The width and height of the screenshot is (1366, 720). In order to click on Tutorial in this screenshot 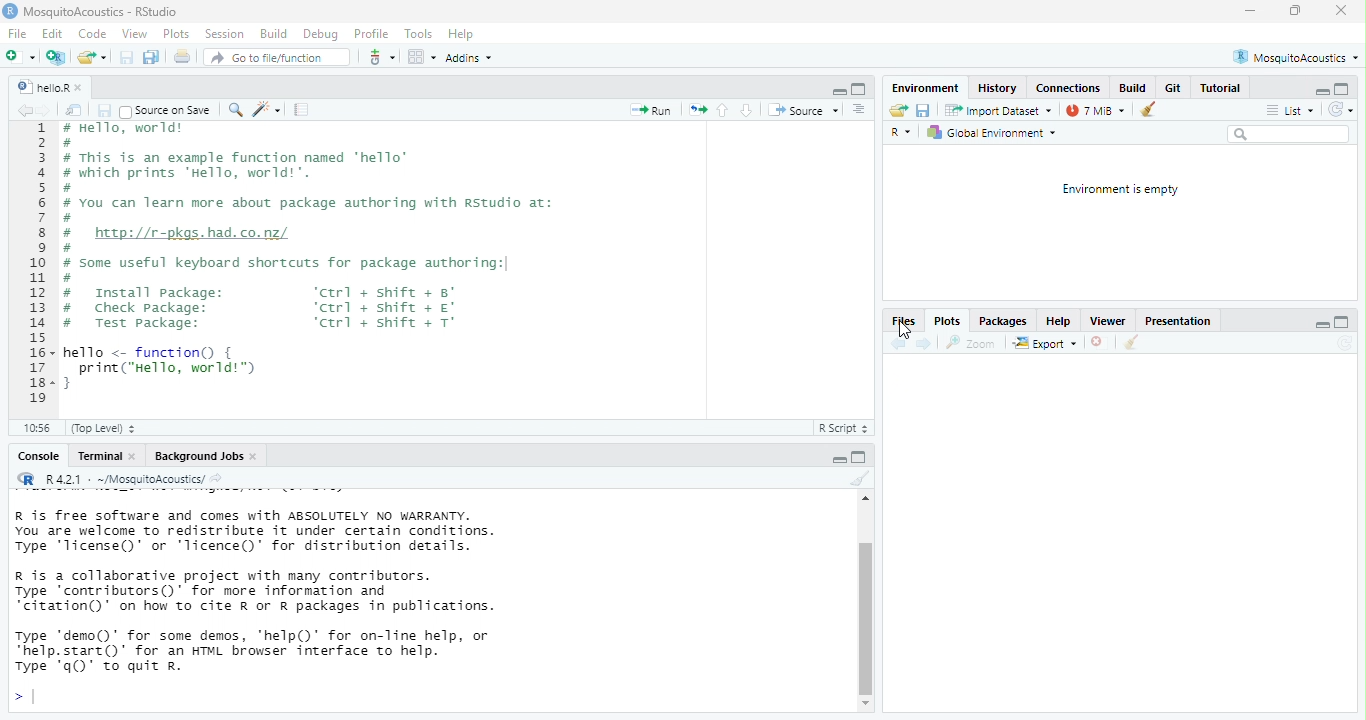, I will do `click(1225, 88)`.